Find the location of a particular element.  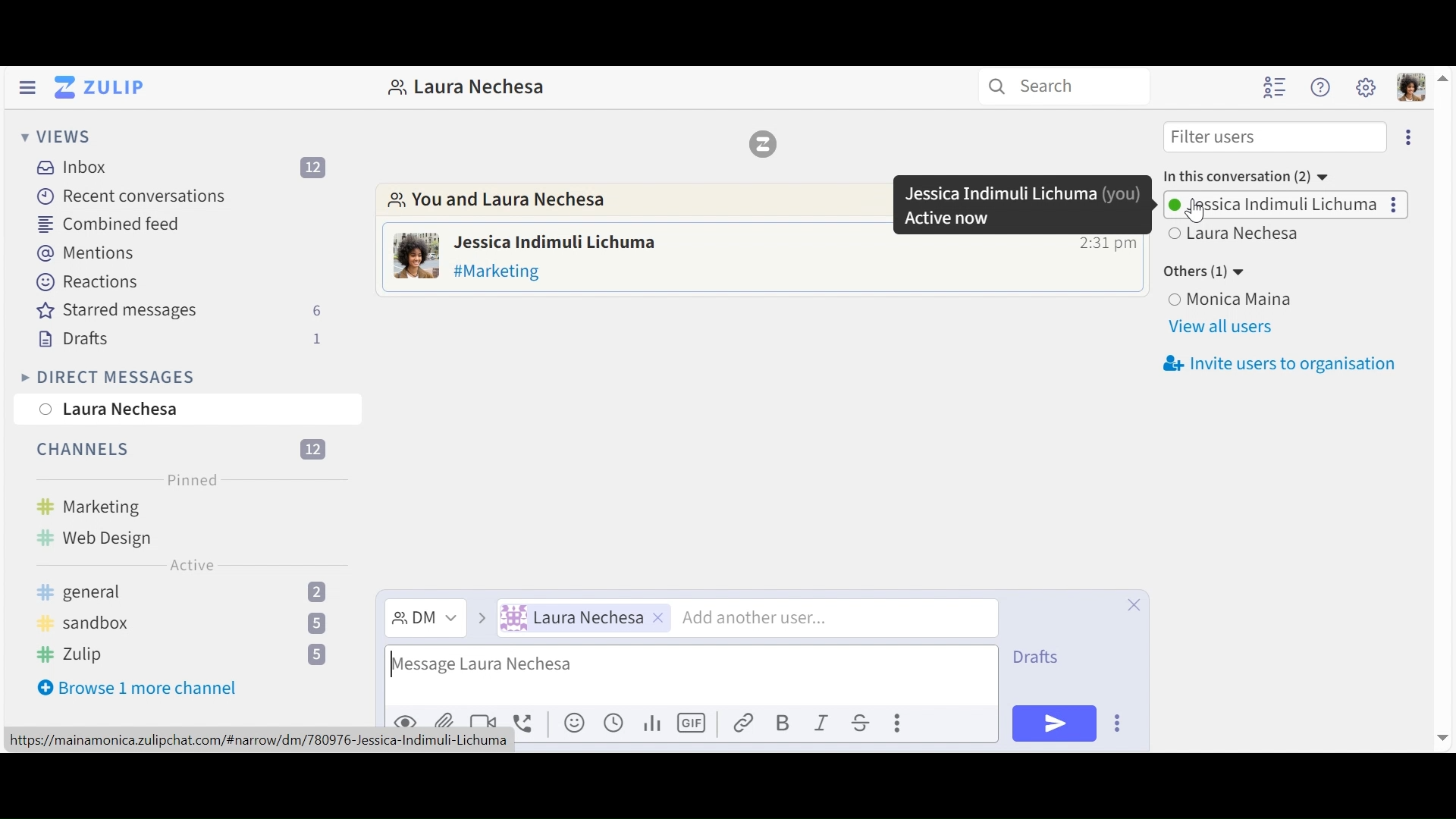

more options is located at coordinates (1409, 141).